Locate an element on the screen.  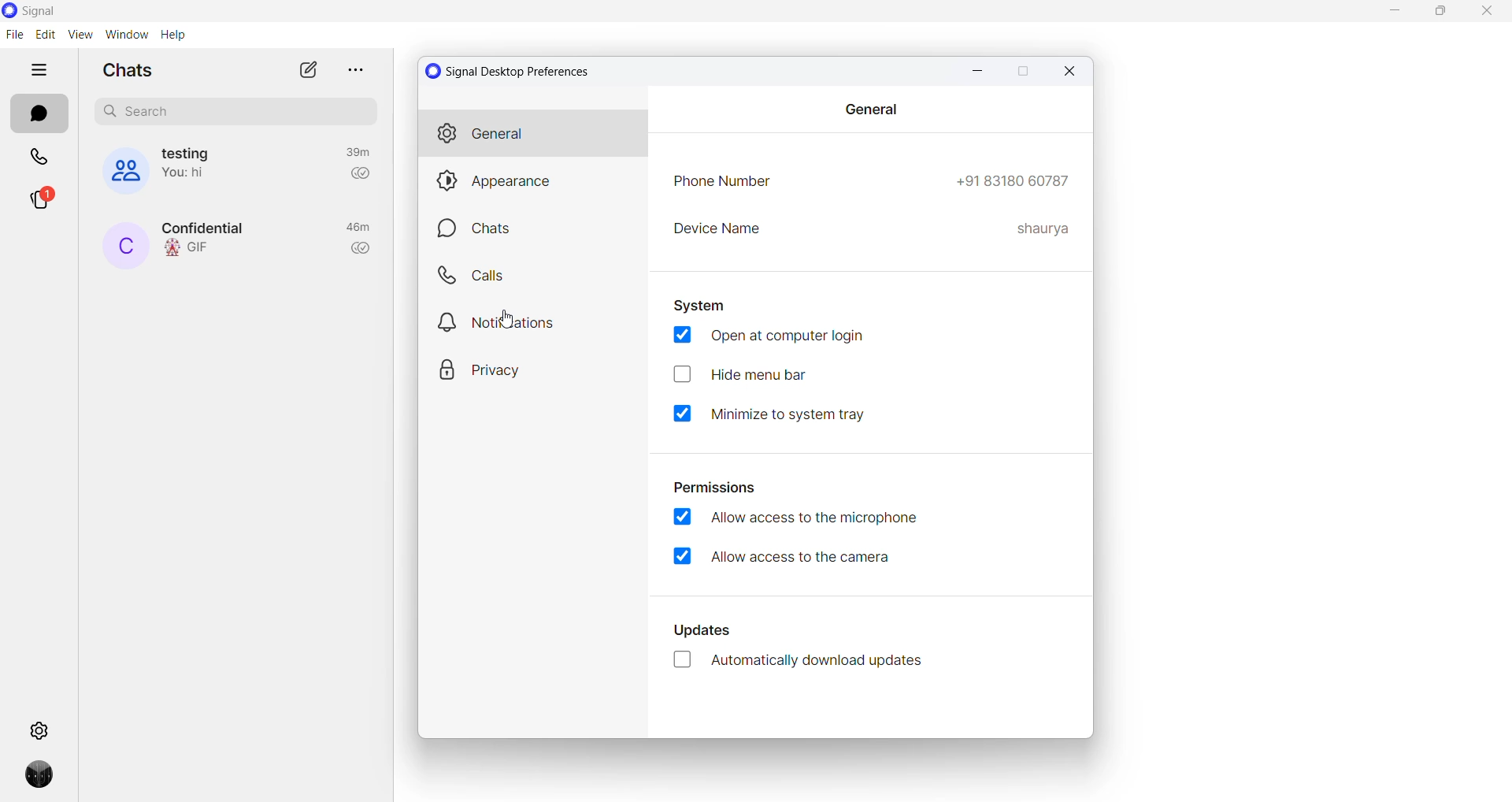
phone number is located at coordinates (1013, 180).